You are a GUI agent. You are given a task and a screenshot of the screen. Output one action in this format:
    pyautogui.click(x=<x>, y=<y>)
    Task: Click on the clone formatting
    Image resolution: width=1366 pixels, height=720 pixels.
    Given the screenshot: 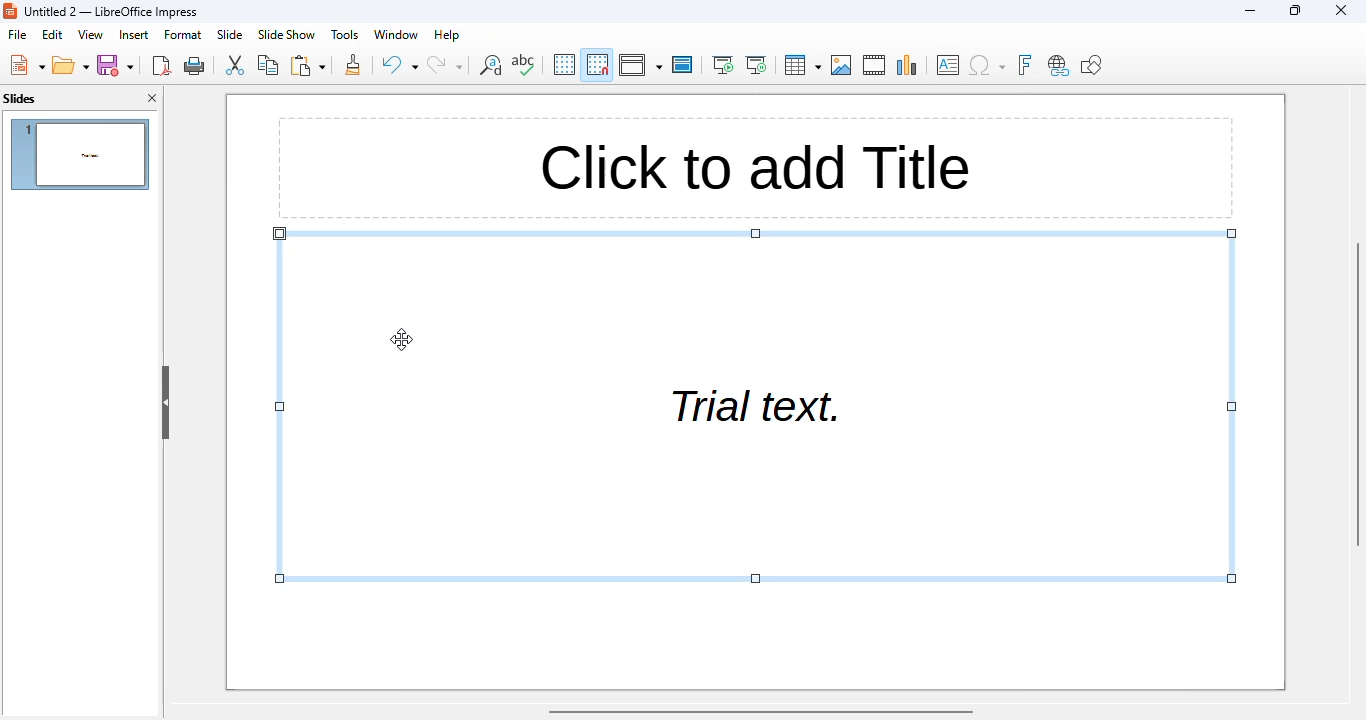 What is the action you would take?
    pyautogui.click(x=353, y=64)
    